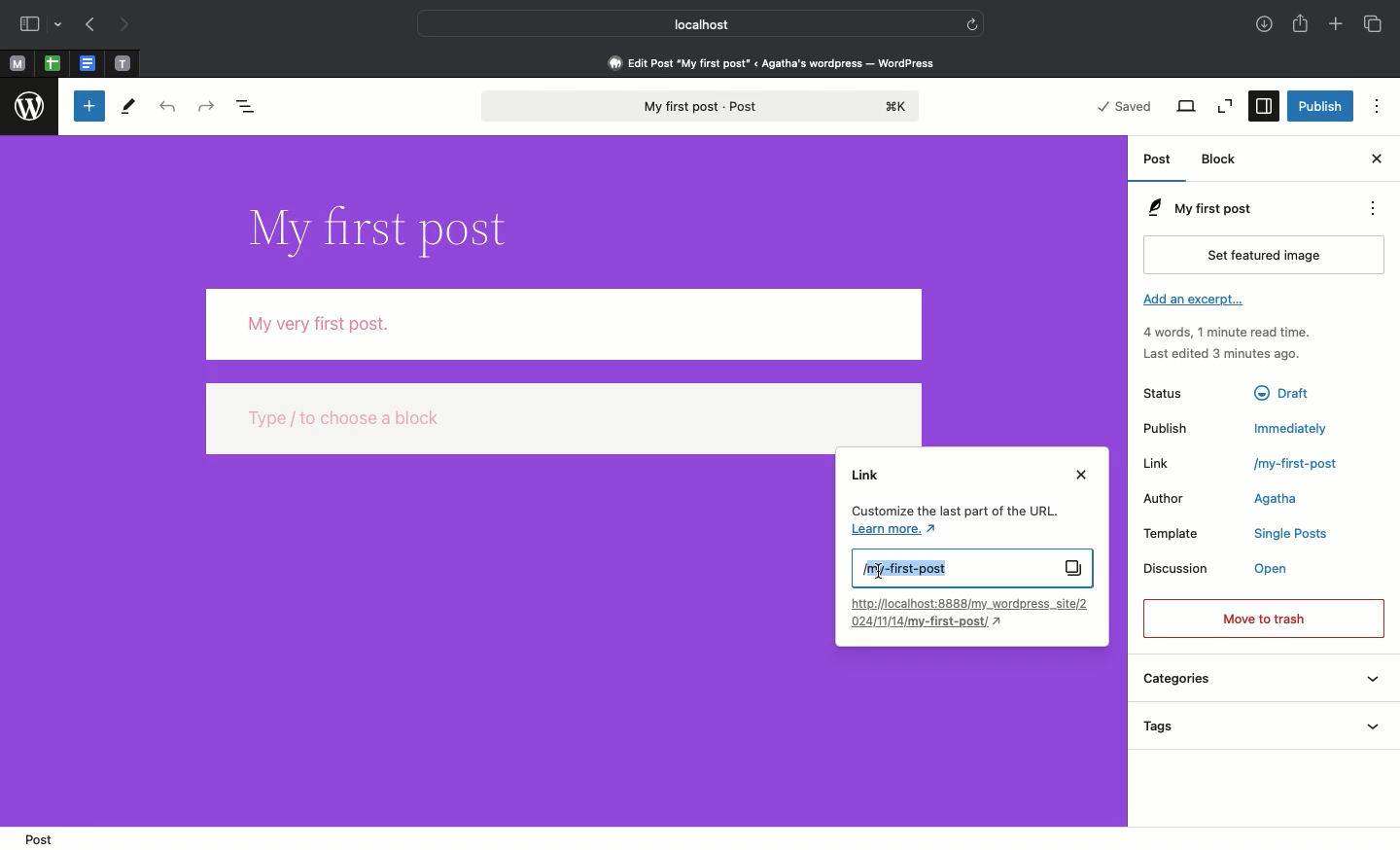 The image size is (1400, 850). What do you see at coordinates (772, 62) in the screenshot?
I see `Edit post 'my first post' < agatha's wordpress - wordpress` at bounding box center [772, 62].